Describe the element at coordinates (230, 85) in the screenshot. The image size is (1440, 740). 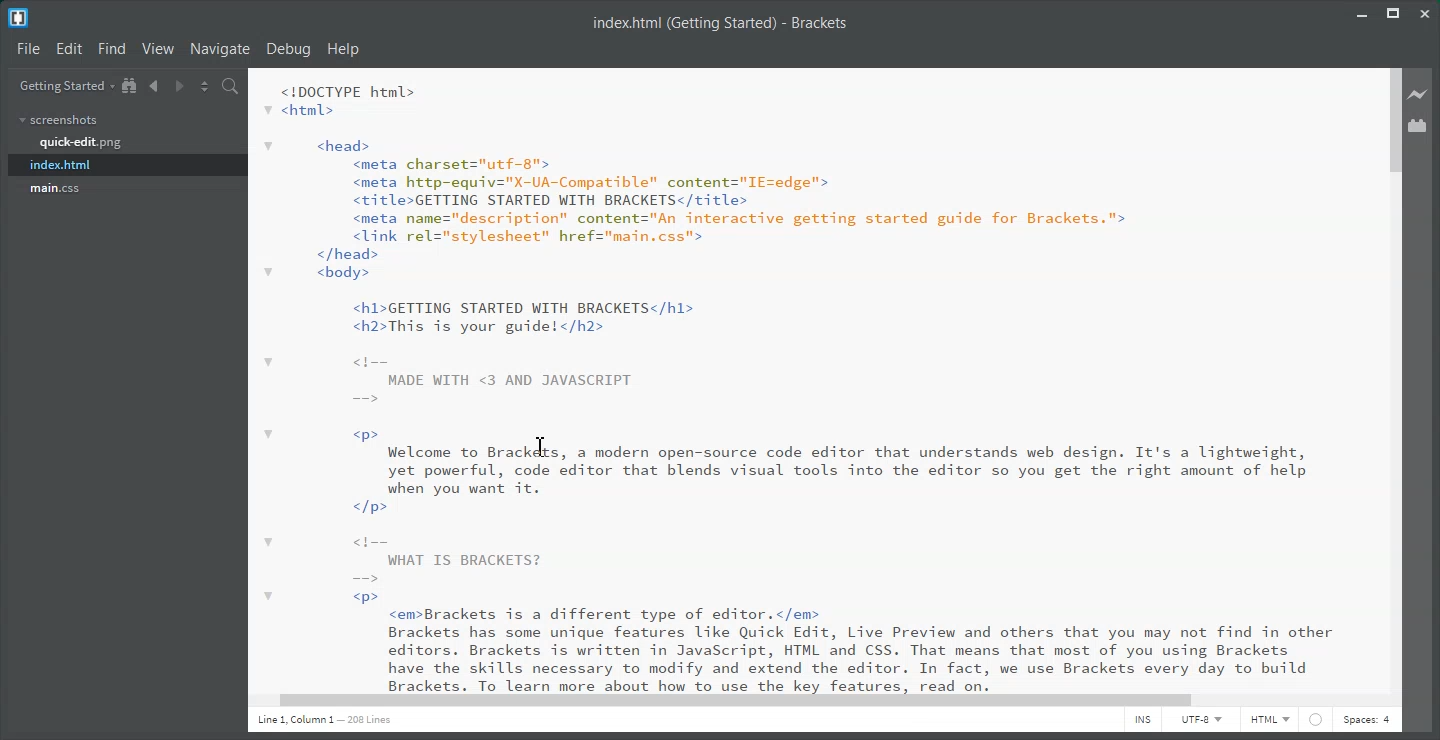
I see `Find In files` at that location.